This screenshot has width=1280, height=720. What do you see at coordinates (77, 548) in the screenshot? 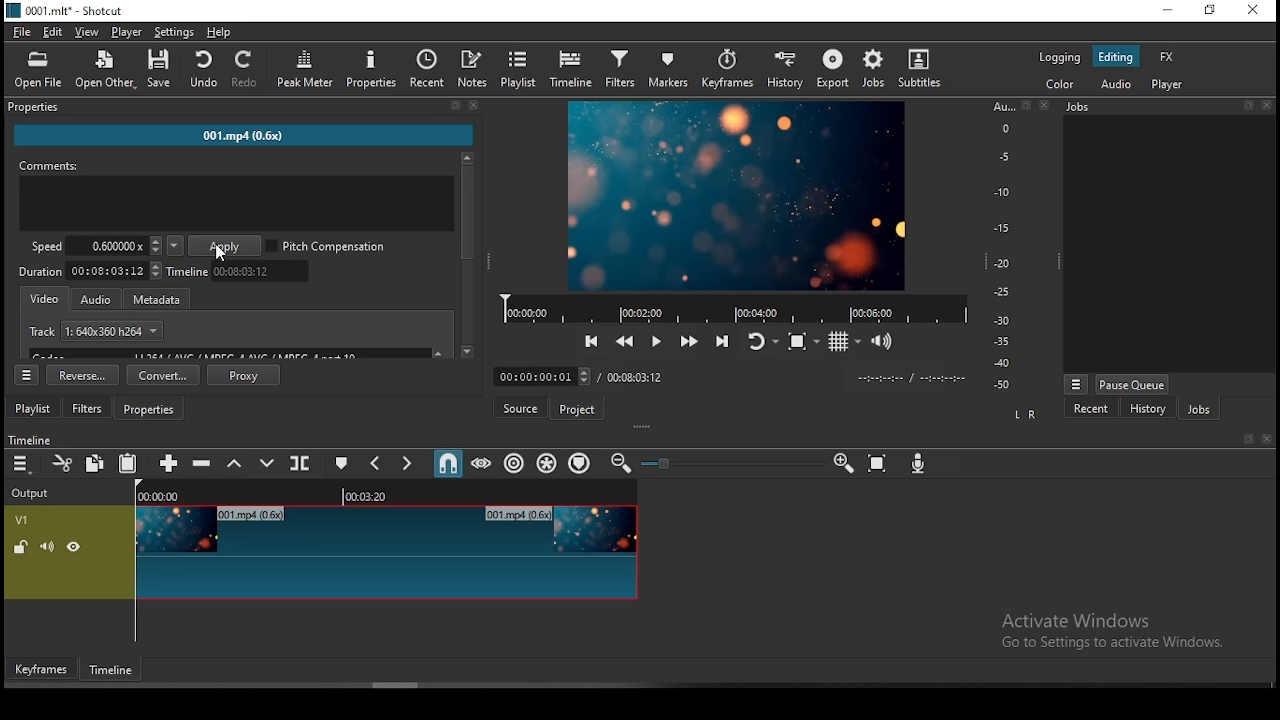
I see `view/hide` at bounding box center [77, 548].